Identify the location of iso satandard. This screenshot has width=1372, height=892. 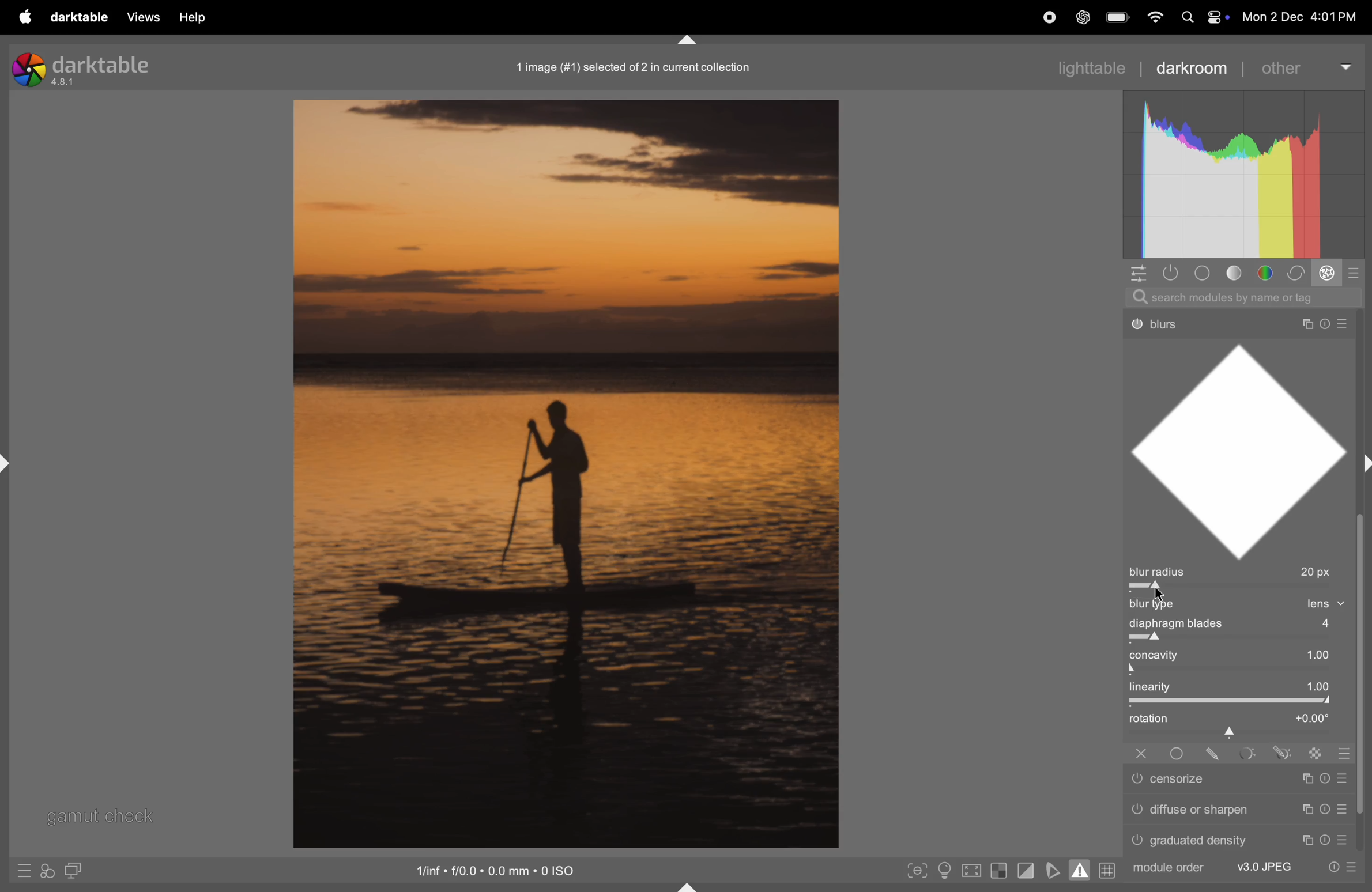
(497, 869).